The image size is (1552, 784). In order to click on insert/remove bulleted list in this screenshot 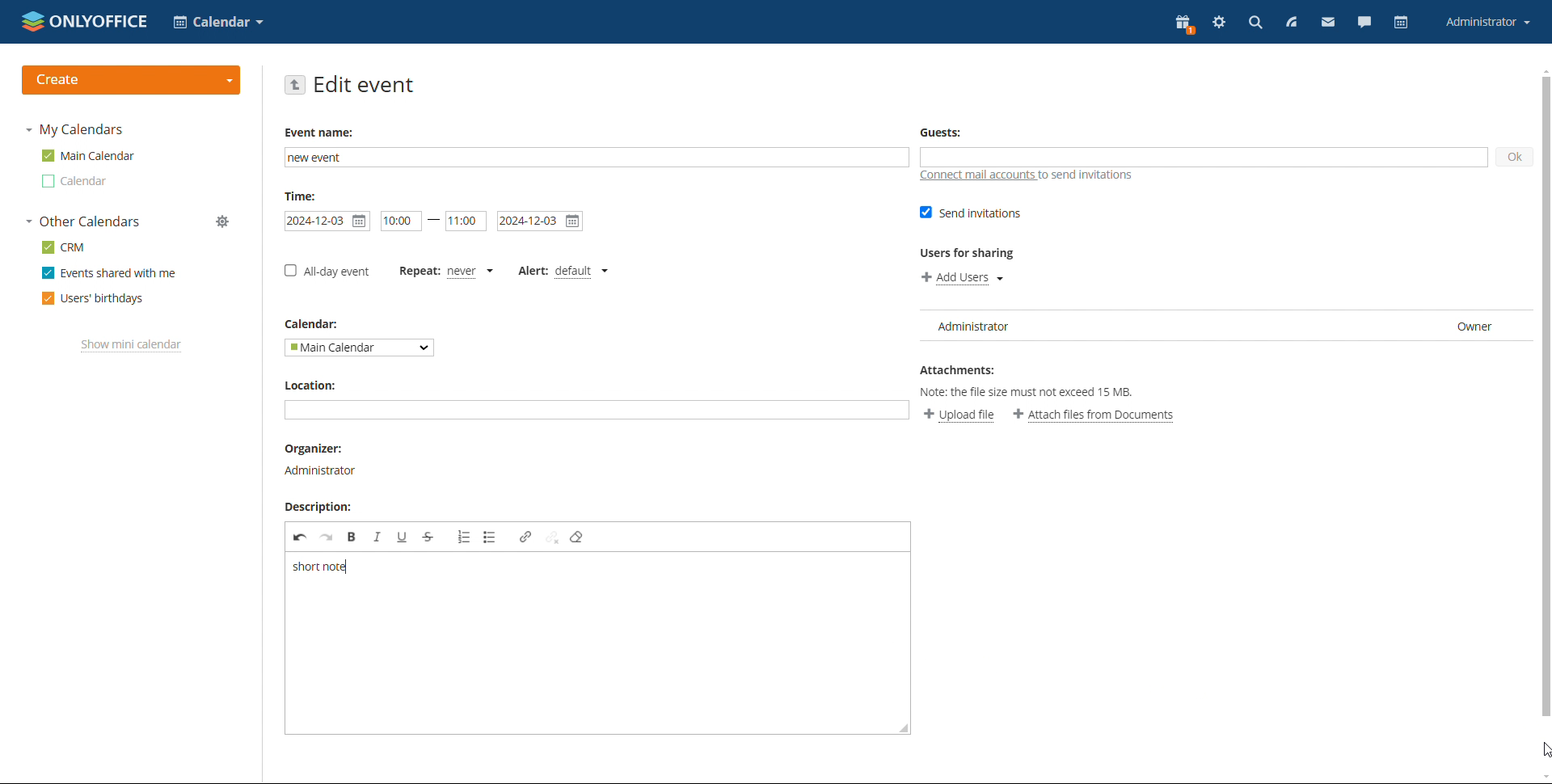, I will do `click(492, 537)`.